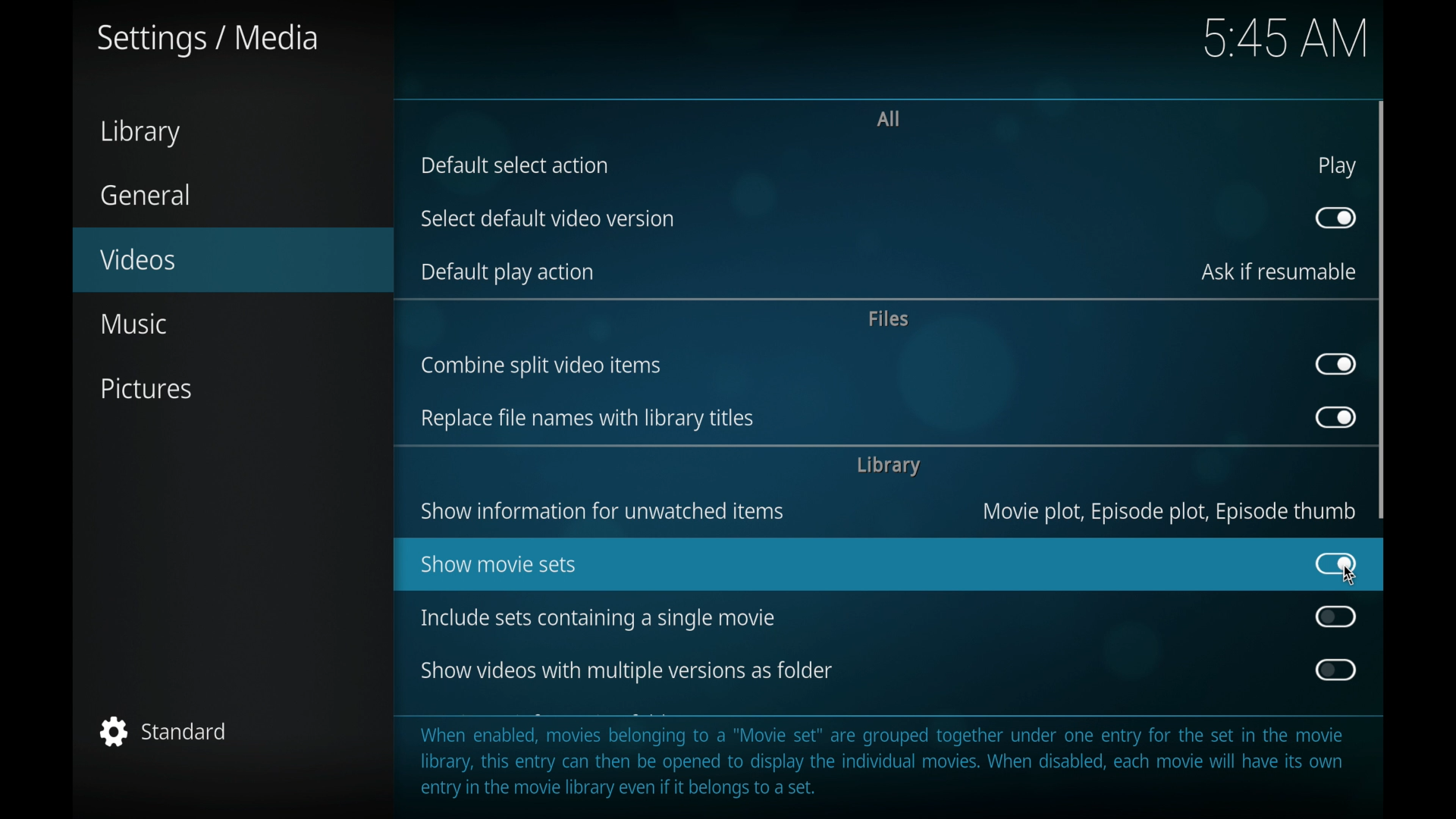 The height and width of the screenshot is (819, 1456). What do you see at coordinates (1382, 309) in the screenshot?
I see `scroll box` at bounding box center [1382, 309].